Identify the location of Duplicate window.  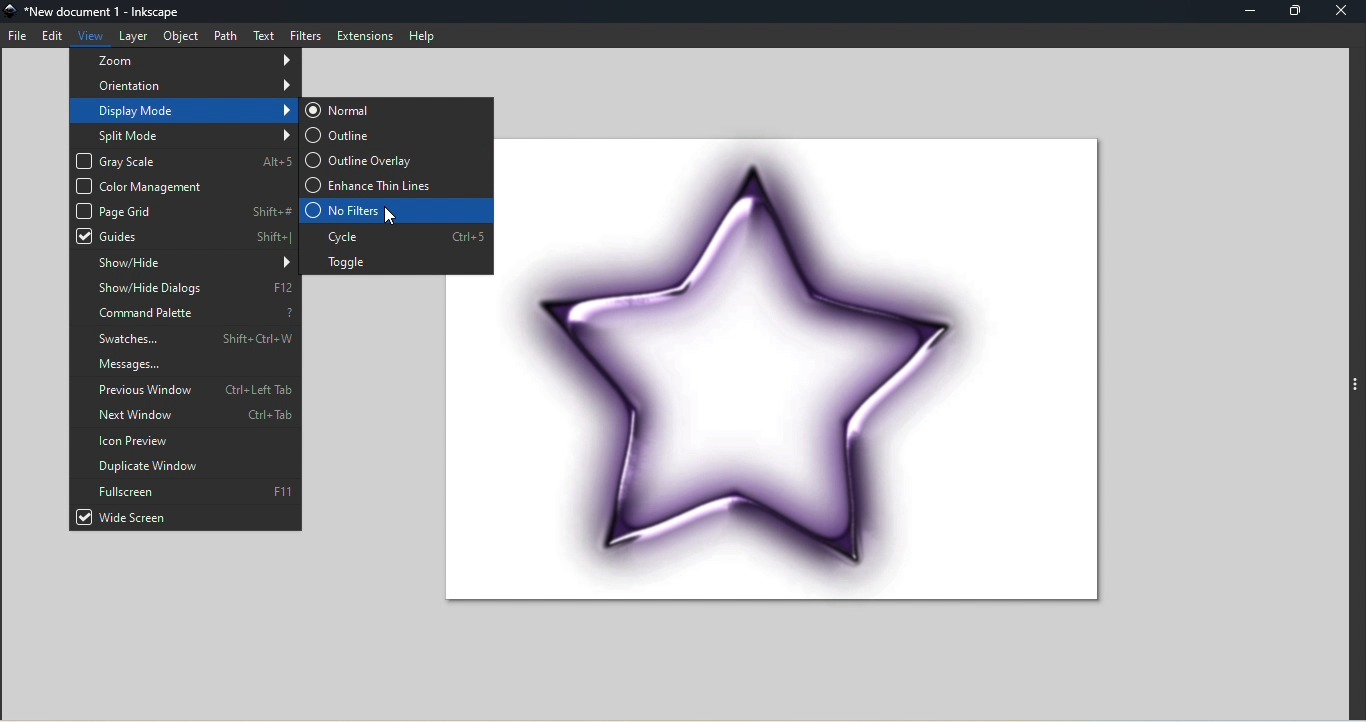
(188, 467).